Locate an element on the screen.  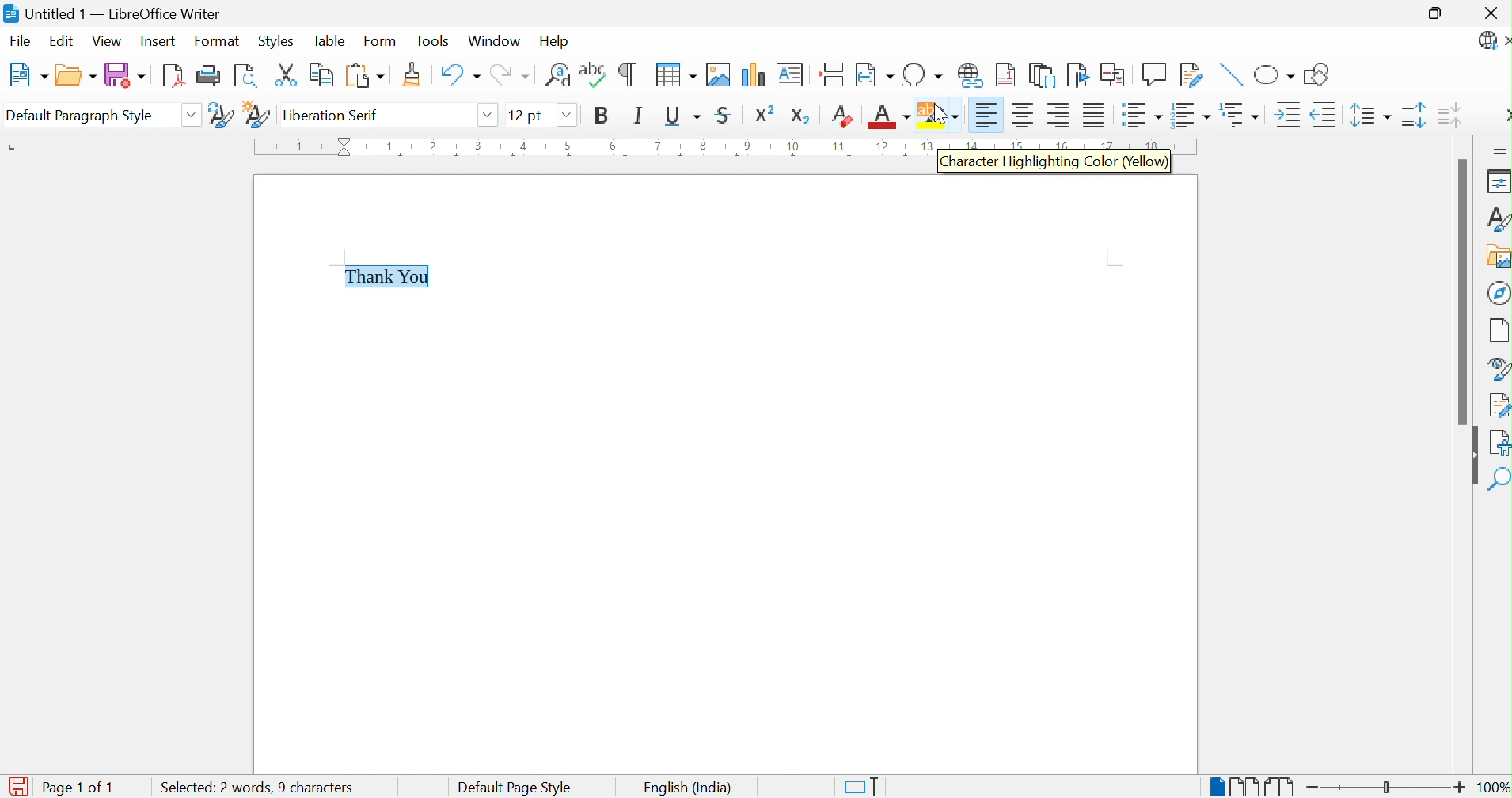
Select Outline Format is located at coordinates (1238, 115).